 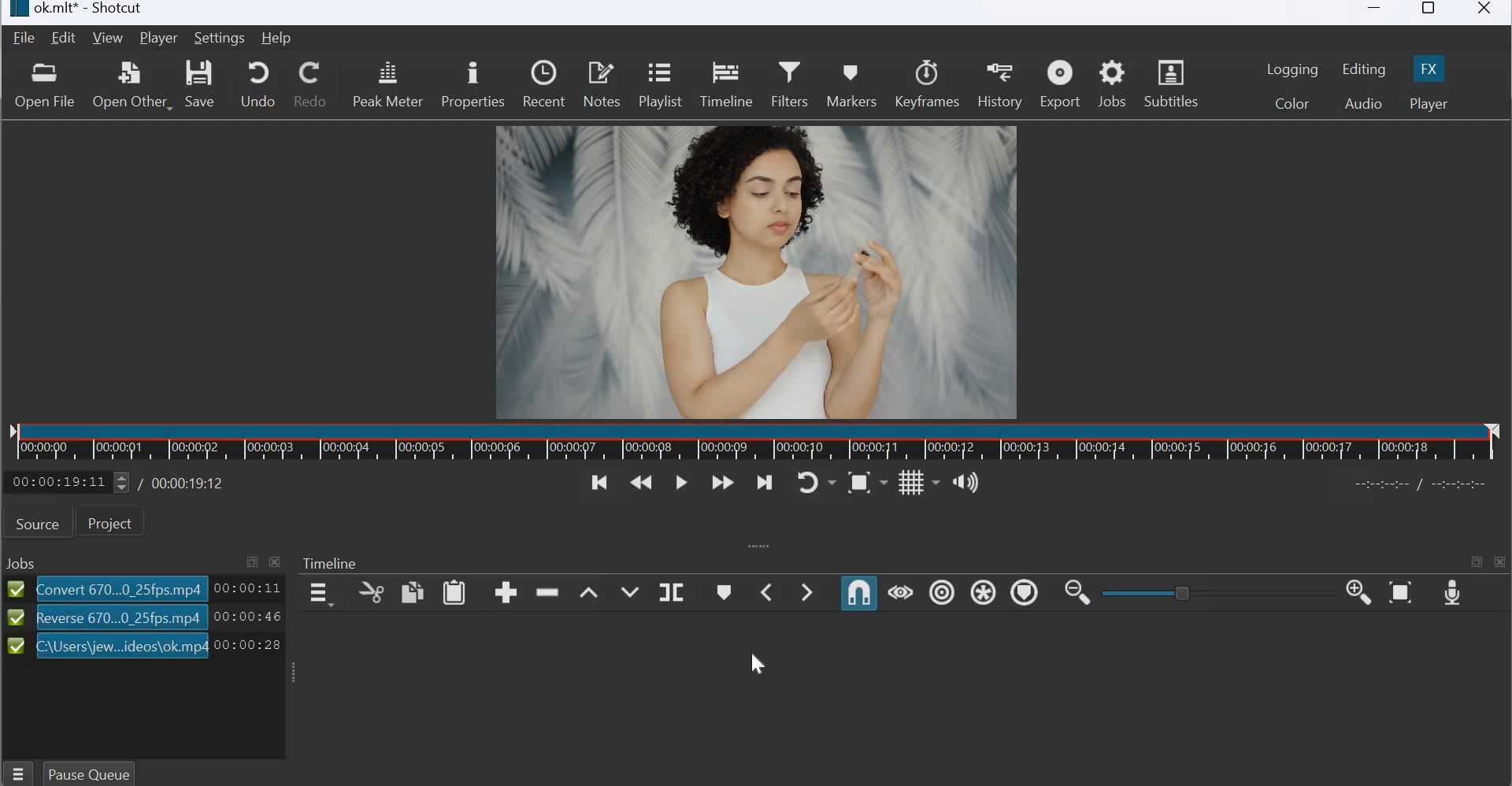 What do you see at coordinates (1364, 69) in the screenshot?
I see `Editing` at bounding box center [1364, 69].